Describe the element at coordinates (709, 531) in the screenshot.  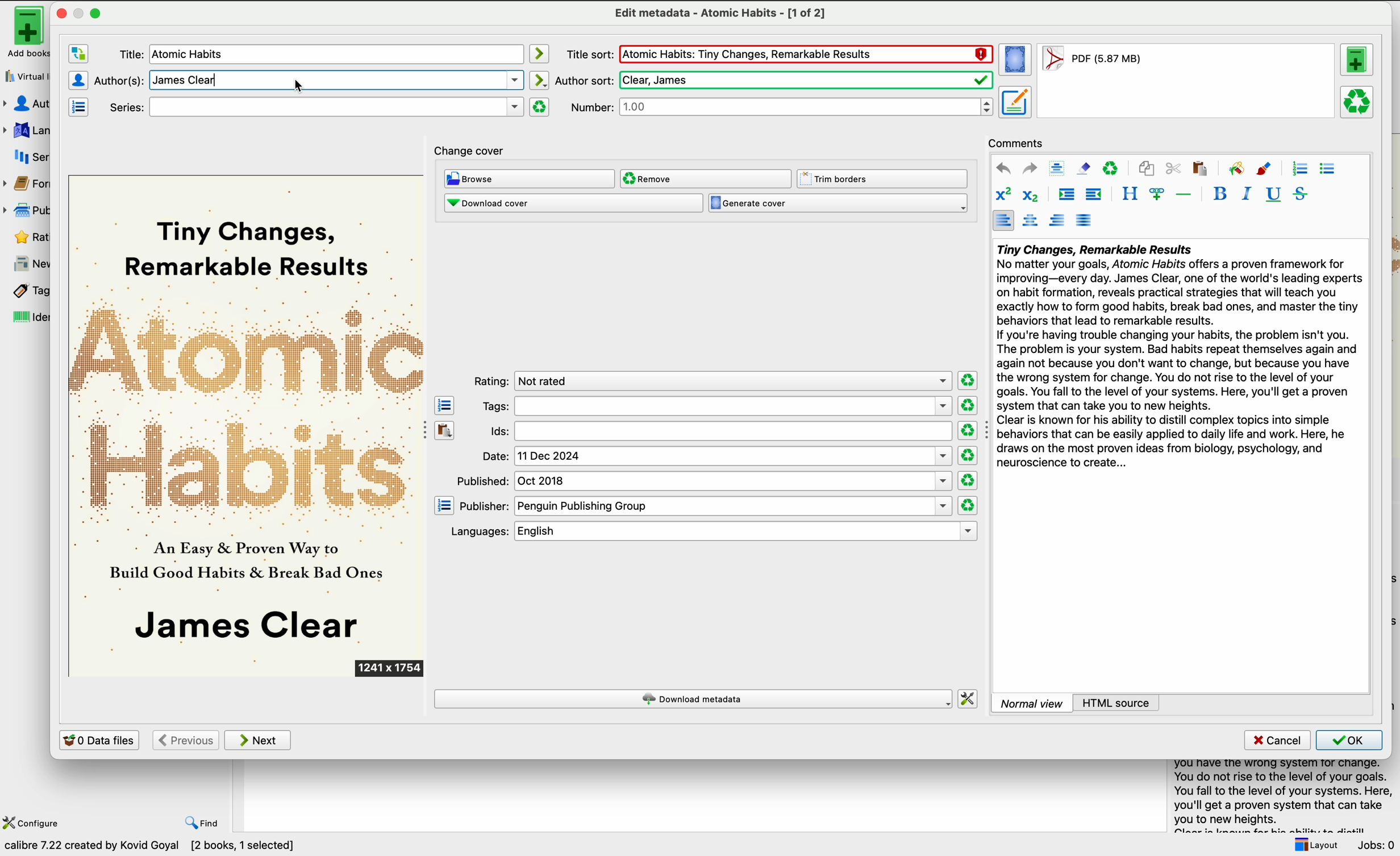
I see `languages: english` at that location.